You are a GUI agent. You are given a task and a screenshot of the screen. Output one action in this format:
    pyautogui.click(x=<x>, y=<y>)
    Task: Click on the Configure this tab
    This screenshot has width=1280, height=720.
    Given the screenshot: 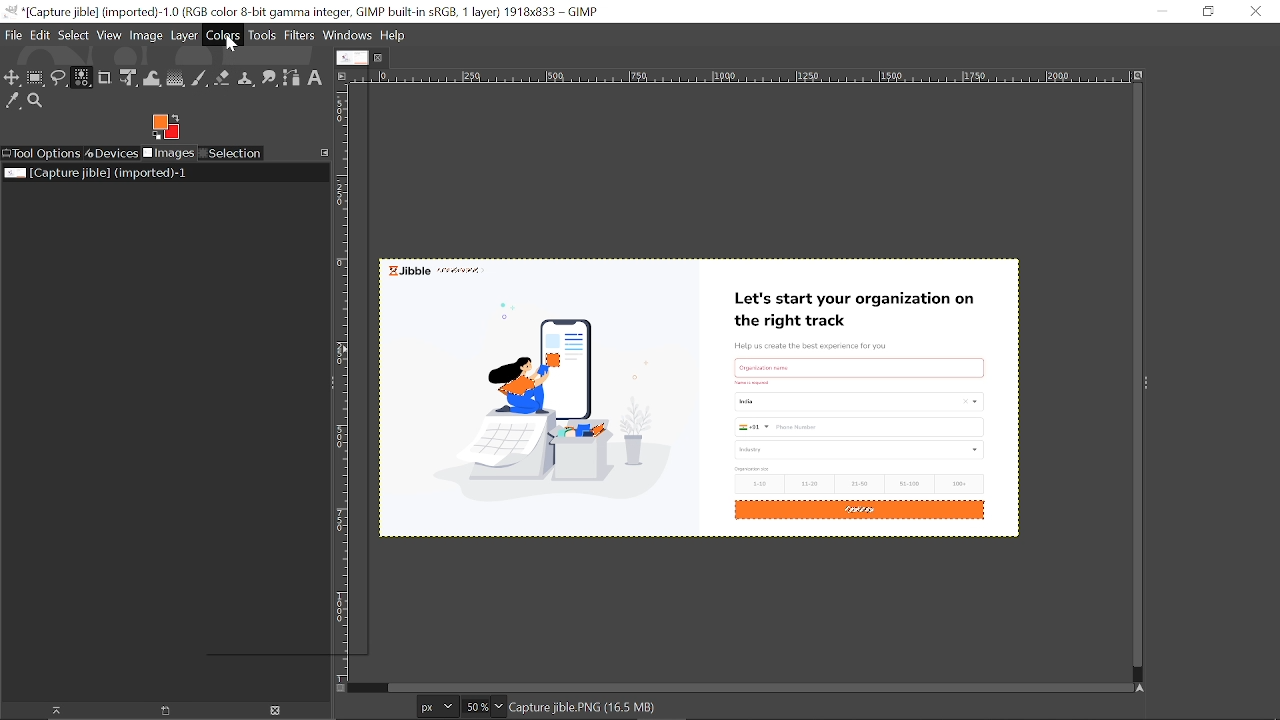 What is the action you would take?
    pyautogui.click(x=325, y=152)
    